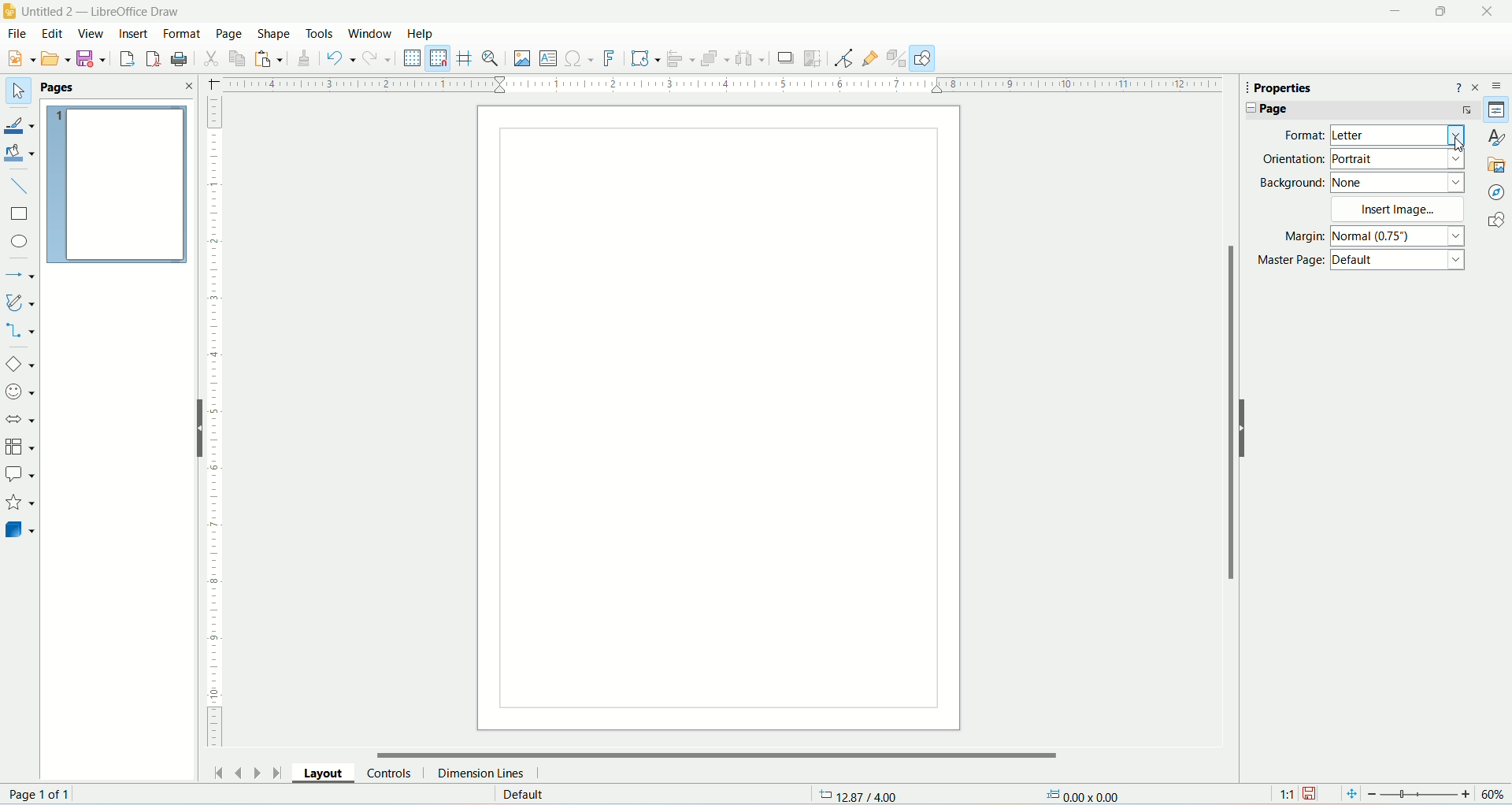 Image resolution: width=1512 pixels, height=805 pixels. Describe the element at coordinates (180, 57) in the screenshot. I see `print` at that location.